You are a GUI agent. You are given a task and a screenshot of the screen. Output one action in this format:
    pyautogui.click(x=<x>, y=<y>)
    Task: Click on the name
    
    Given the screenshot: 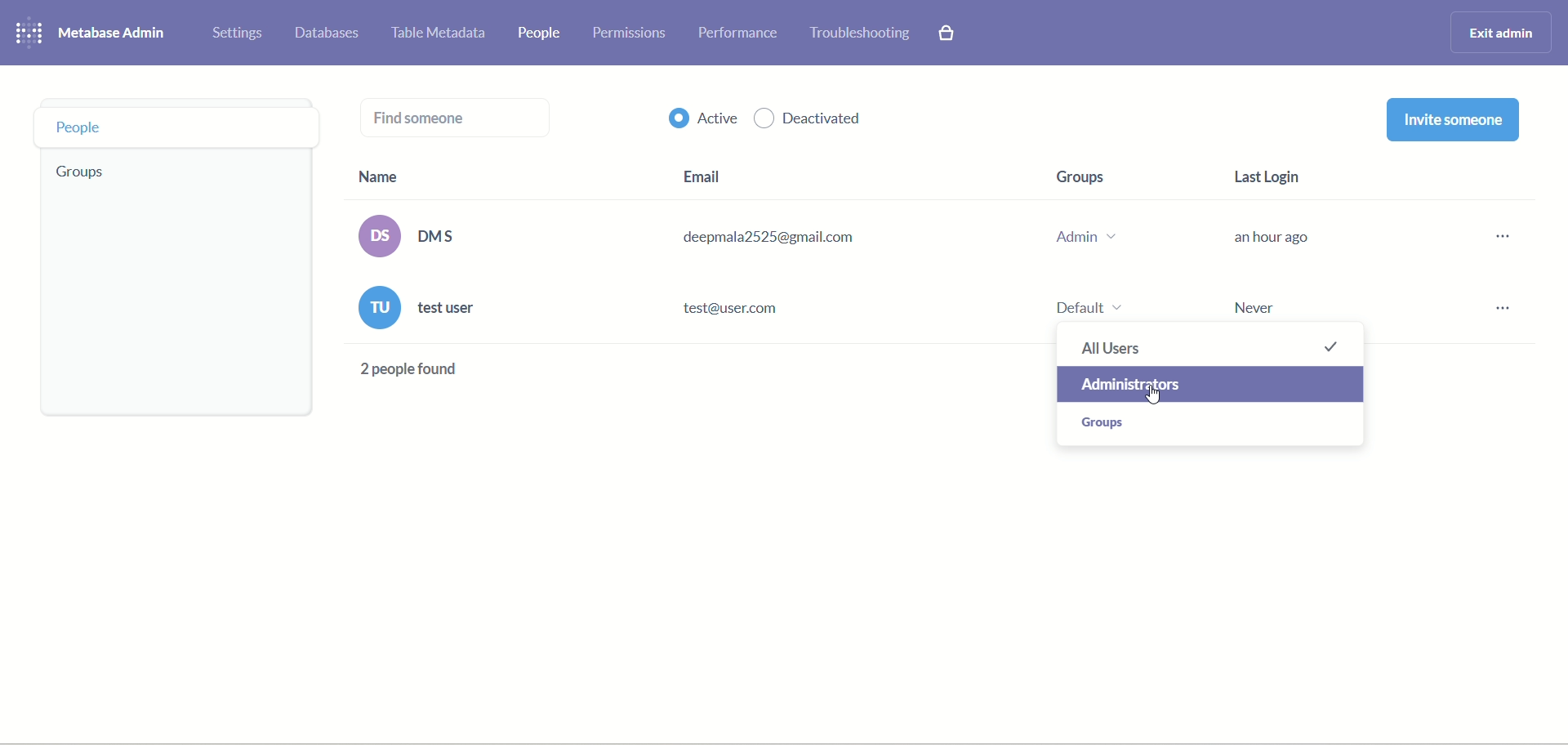 What is the action you would take?
    pyautogui.click(x=418, y=280)
    